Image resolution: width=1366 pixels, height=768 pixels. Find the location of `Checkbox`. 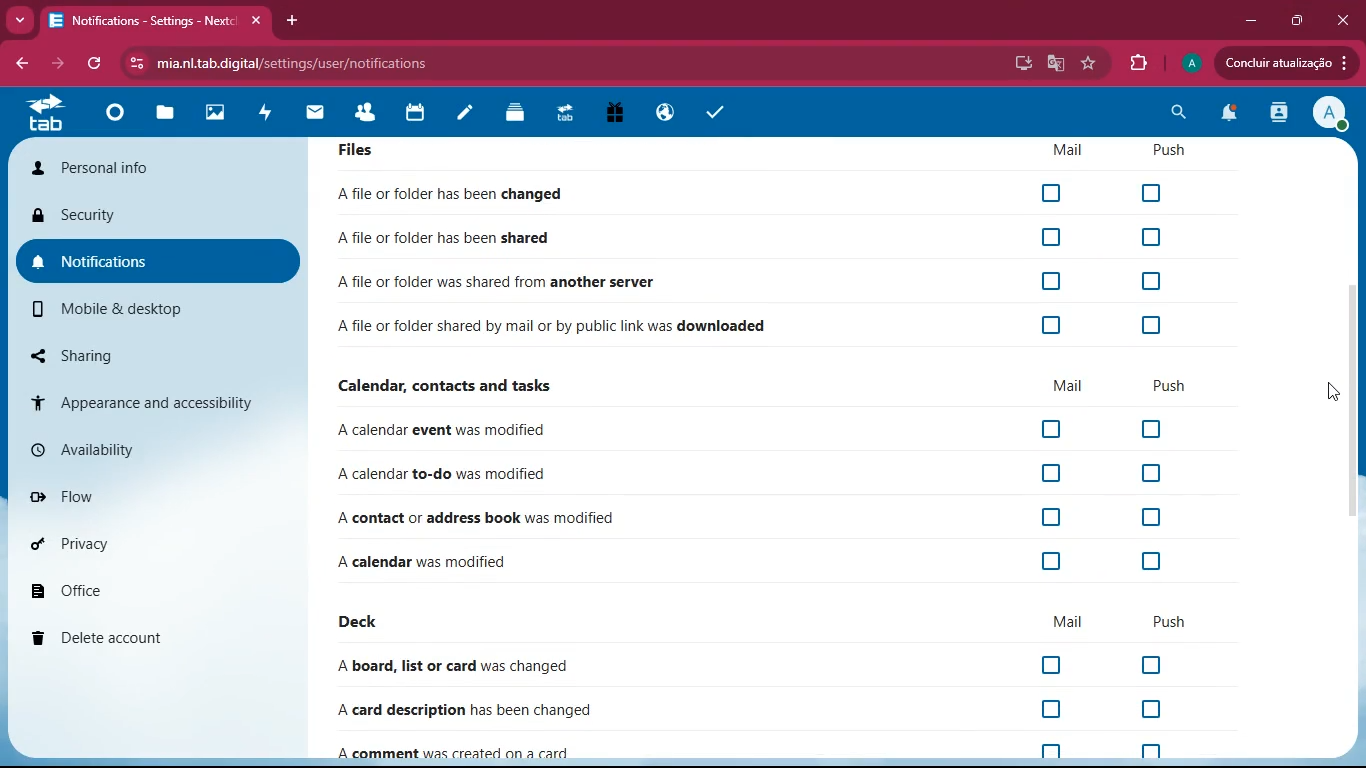

Checkbox is located at coordinates (1167, 191).